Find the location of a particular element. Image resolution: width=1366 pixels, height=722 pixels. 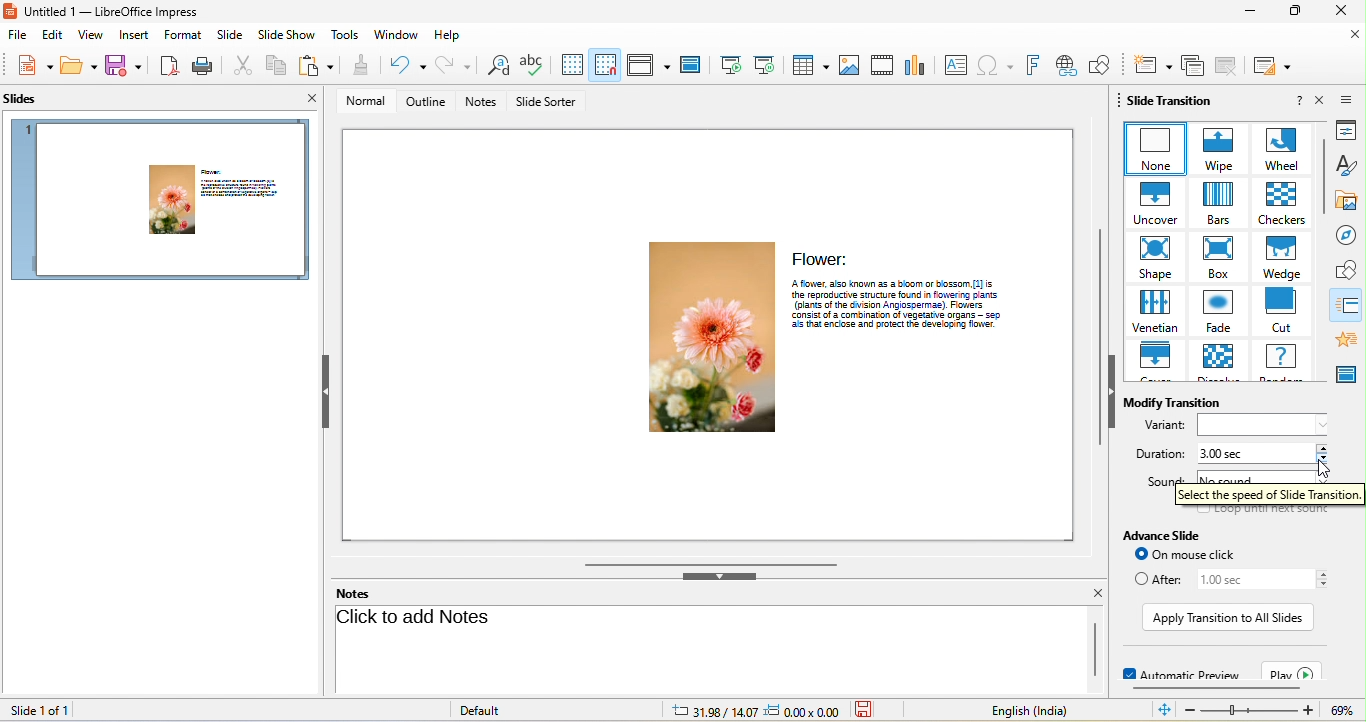

master slide is located at coordinates (692, 65).